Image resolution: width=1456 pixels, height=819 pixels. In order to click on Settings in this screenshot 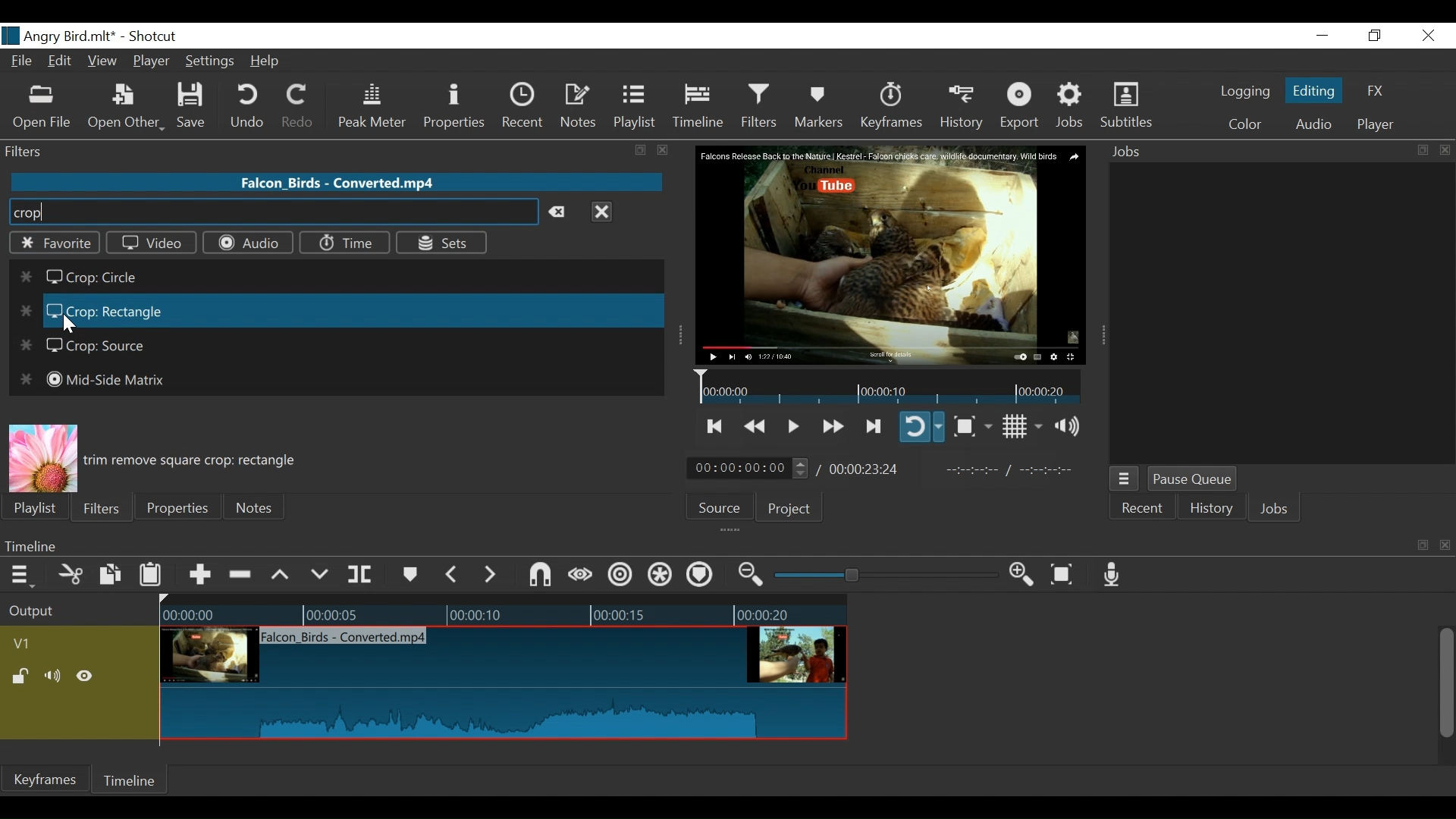, I will do `click(211, 63)`.